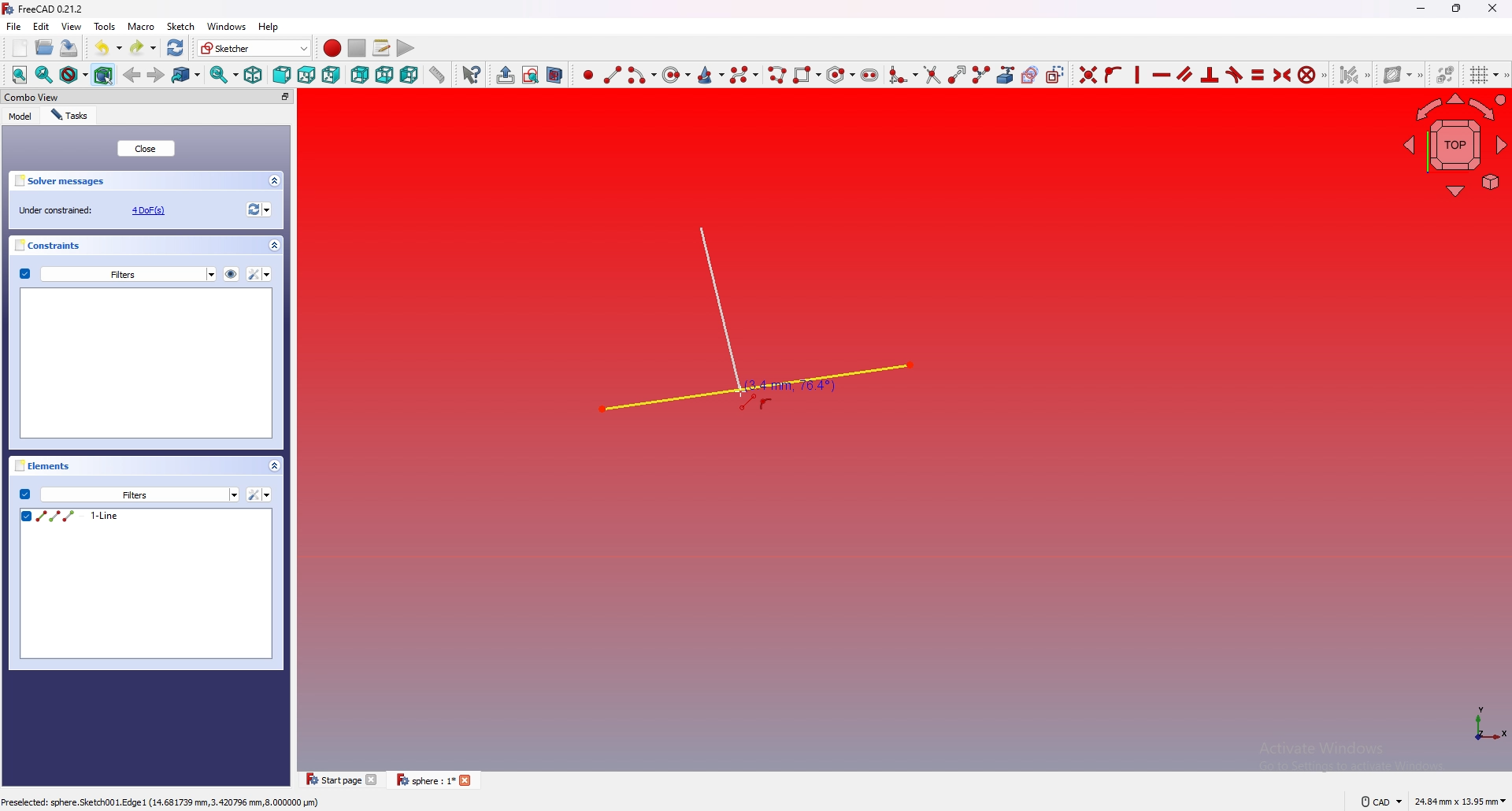  Describe the element at coordinates (148, 180) in the screenshot. I see `Solver messages` at that location.